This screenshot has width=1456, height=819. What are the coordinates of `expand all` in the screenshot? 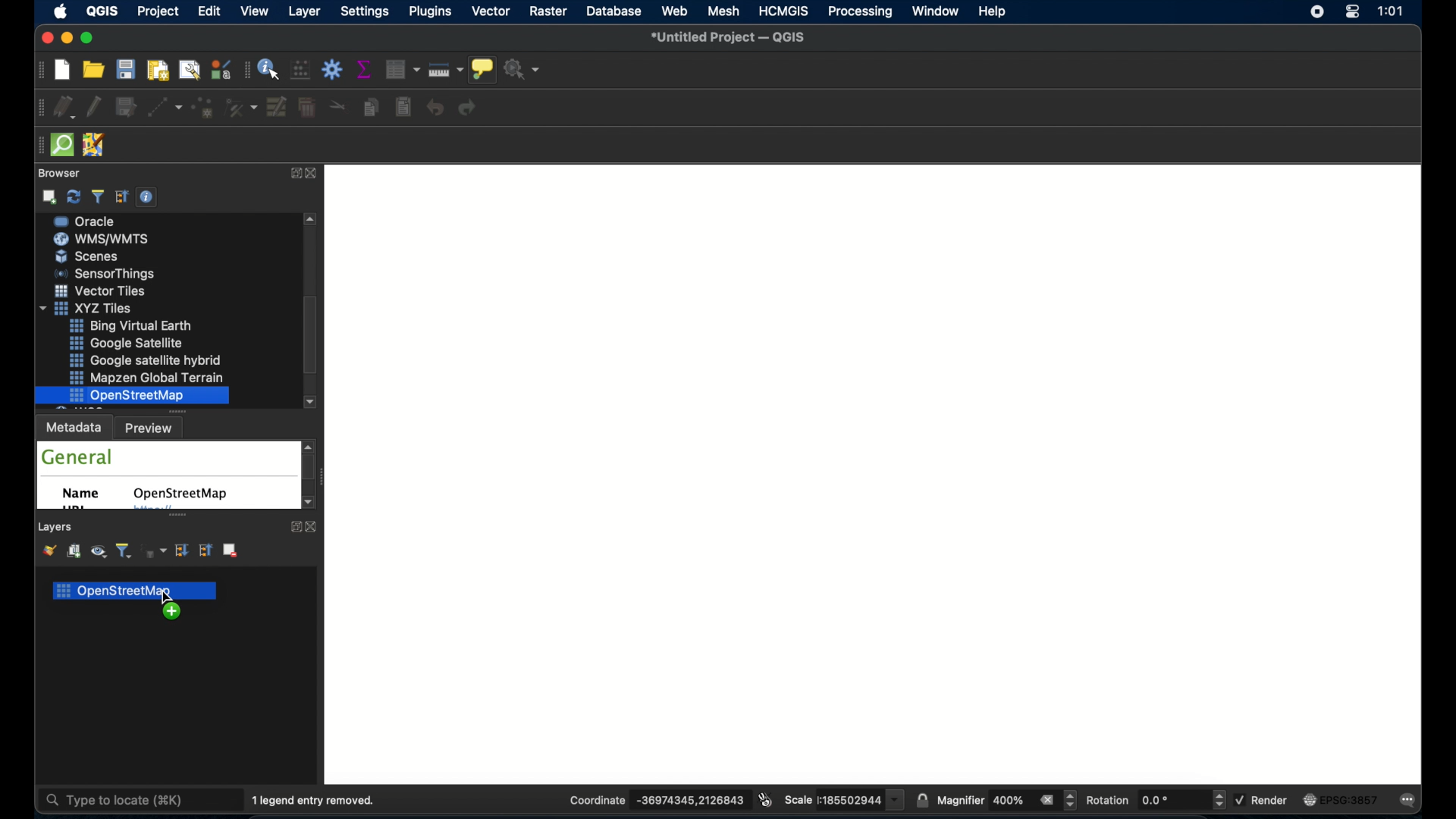 It's located at (182, 551).